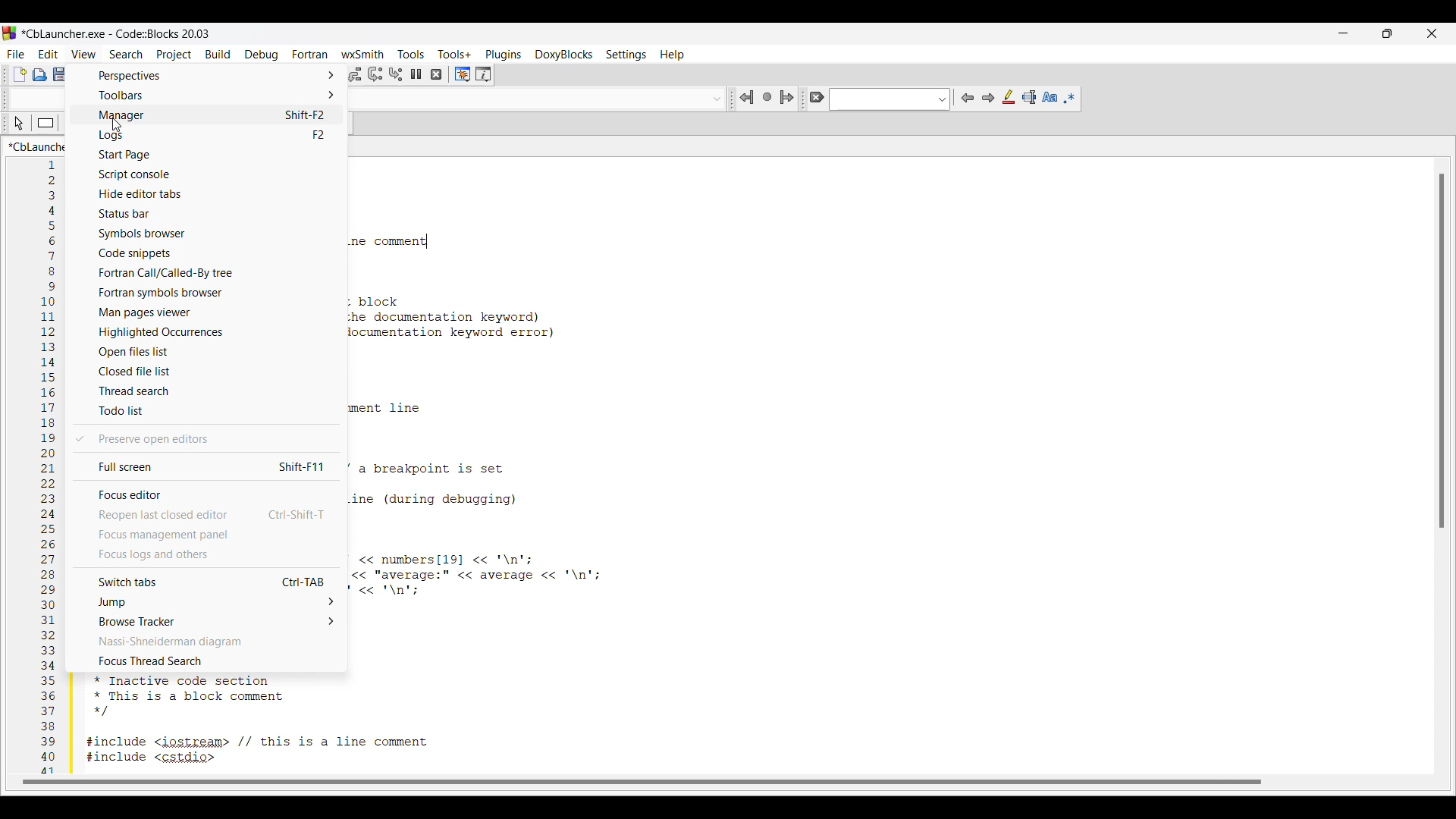 This screenshot has height=819, width=1456. I want to click on Horizontal slide bar, so click(643, 782).